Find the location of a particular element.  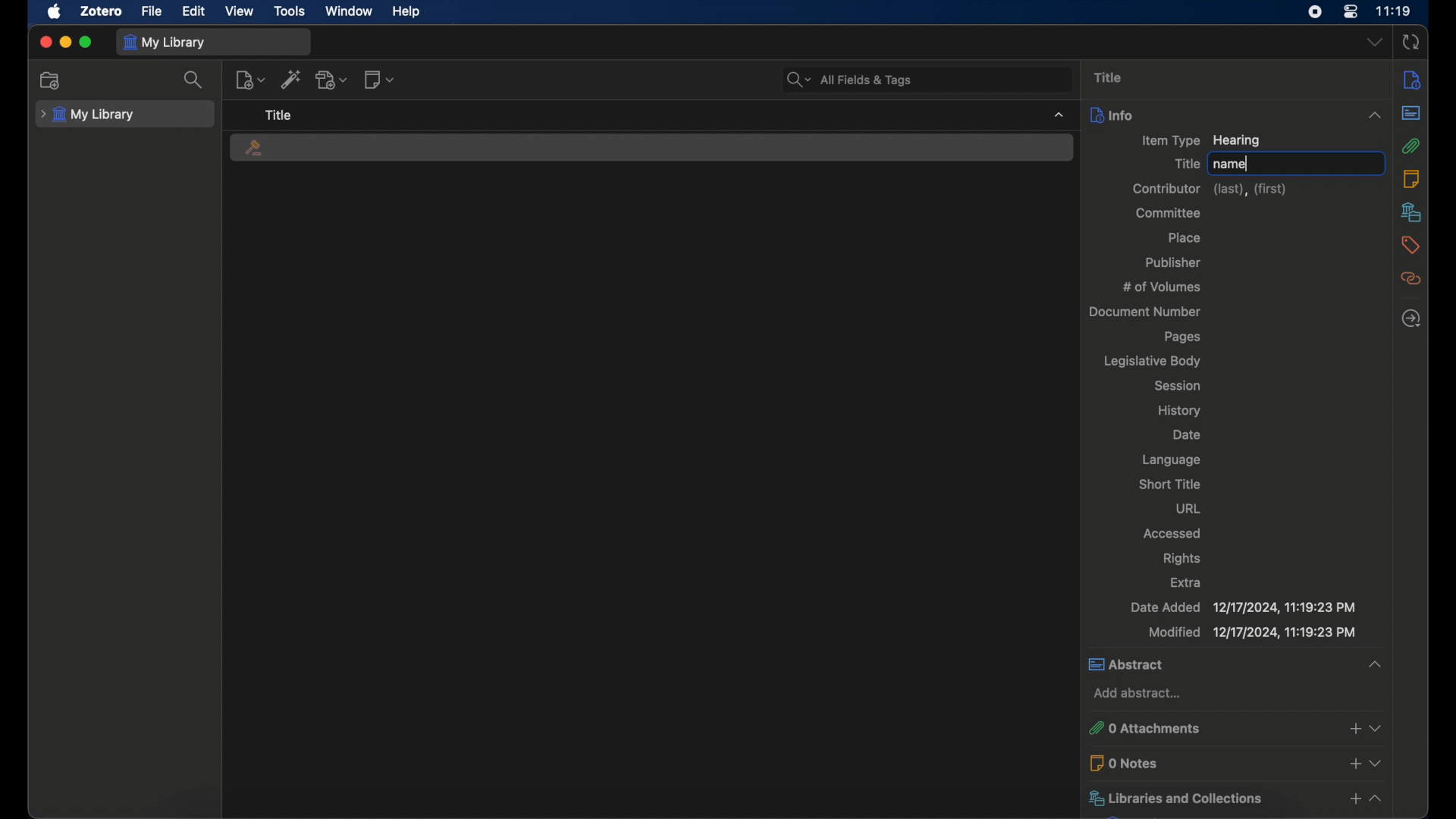

window is located at coordinates (350, 11).